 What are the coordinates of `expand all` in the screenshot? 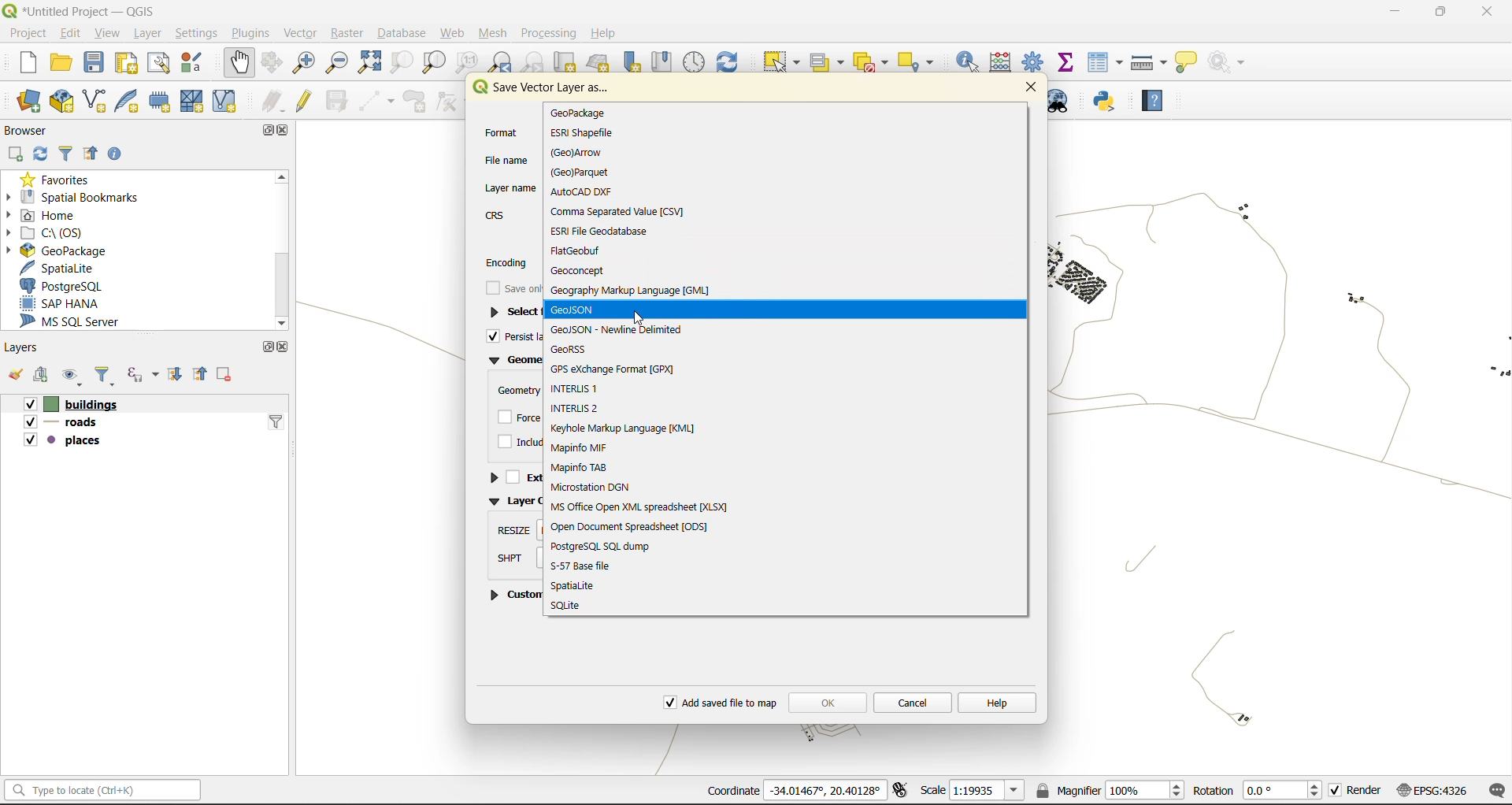 It's located at (180, 375).